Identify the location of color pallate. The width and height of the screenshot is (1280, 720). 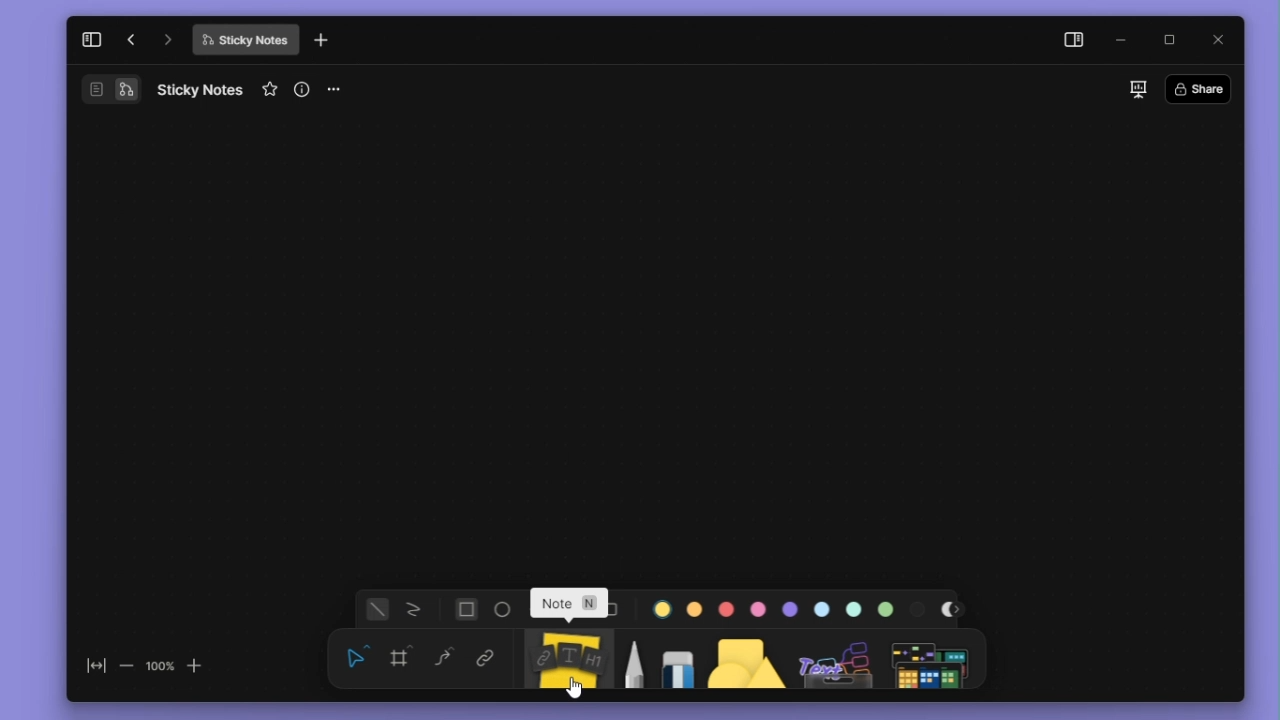
(886, 611).